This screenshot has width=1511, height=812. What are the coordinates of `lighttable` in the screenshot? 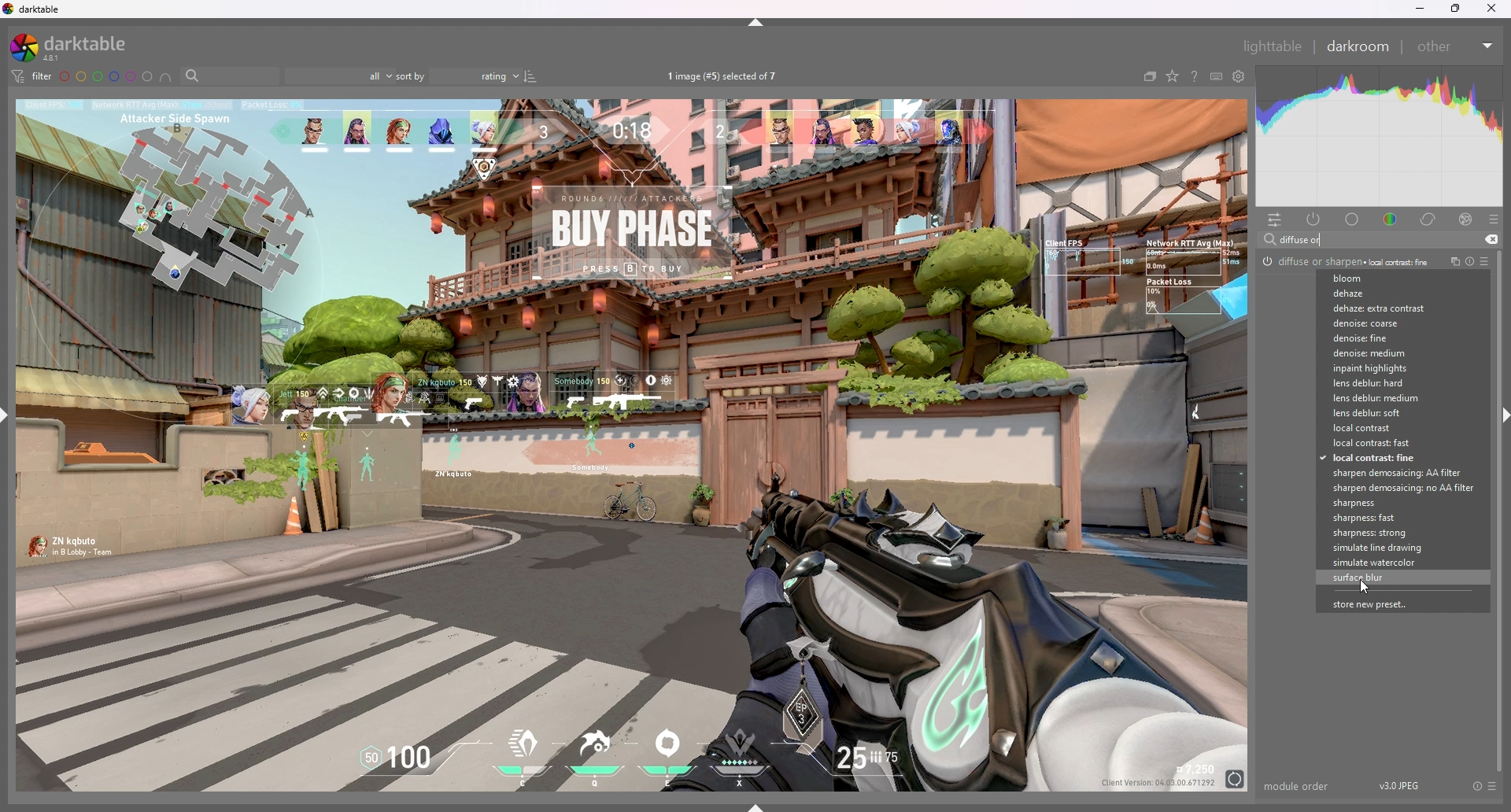 It's located at (1275, 47).